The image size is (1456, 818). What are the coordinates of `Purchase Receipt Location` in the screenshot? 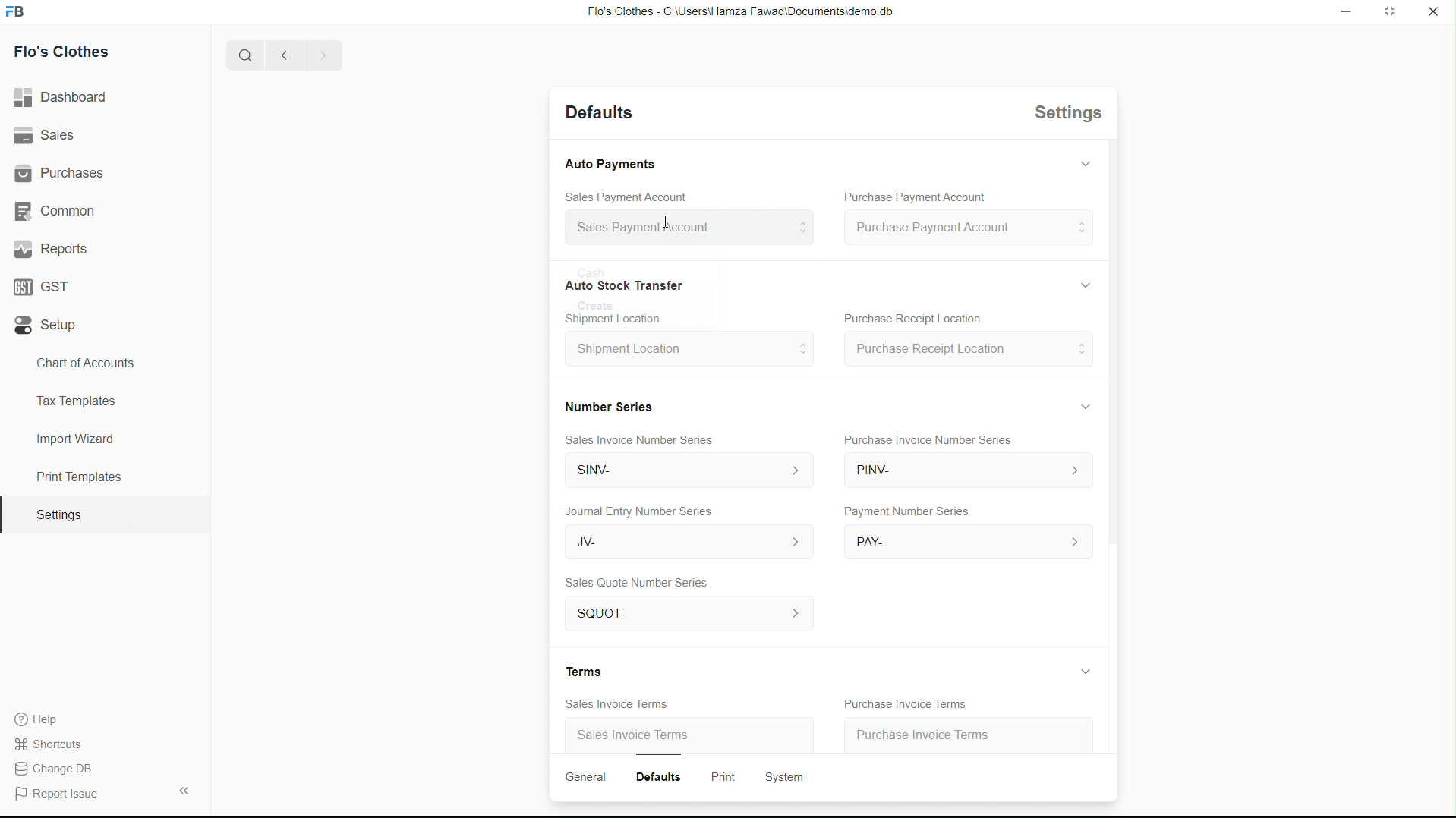 It's located at (911, 319).